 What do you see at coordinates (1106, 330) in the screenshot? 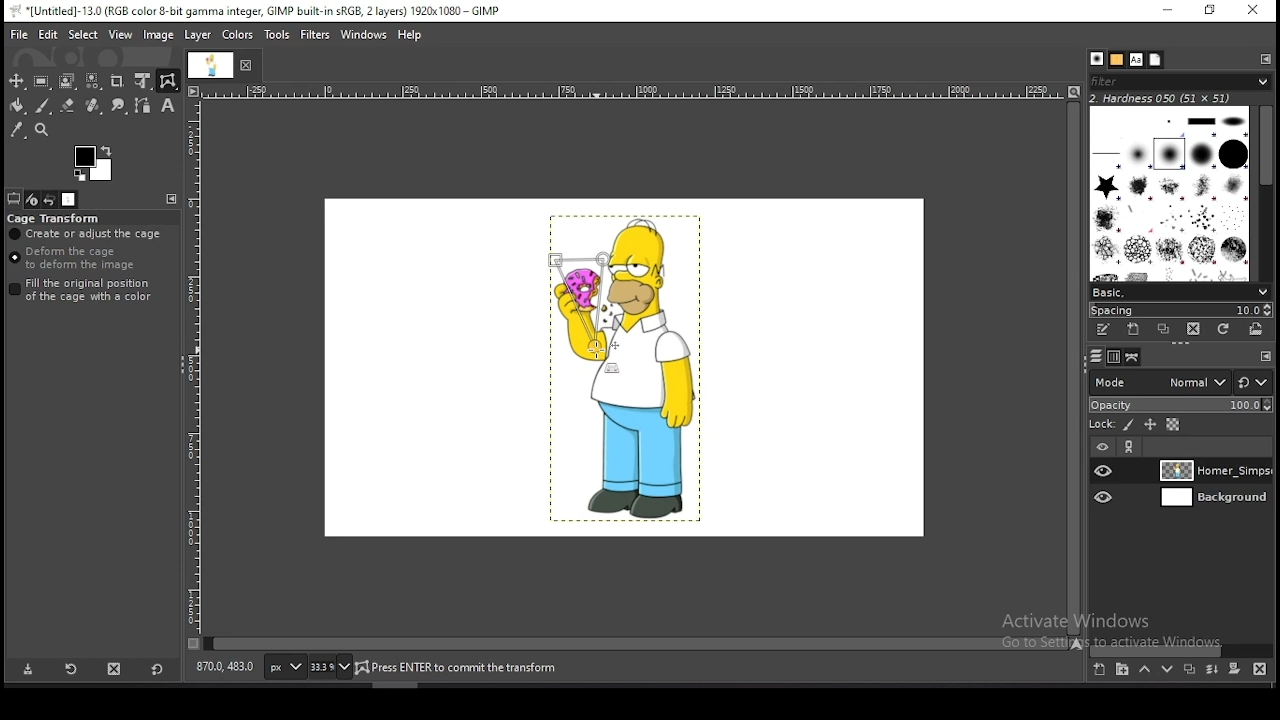
I see `edit this brush` at bounding box center [1106, 330].